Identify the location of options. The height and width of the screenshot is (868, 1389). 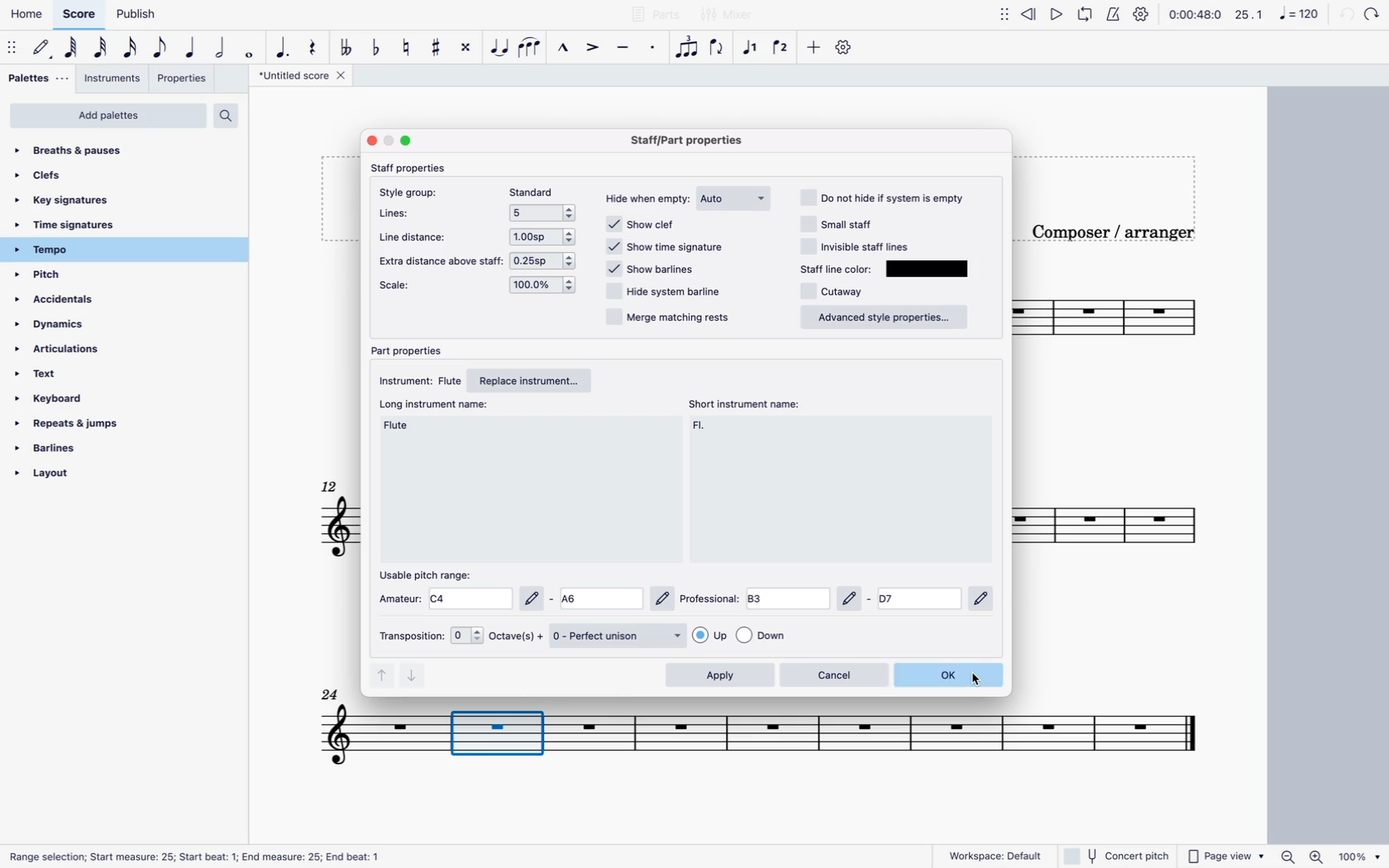
(546, 213).